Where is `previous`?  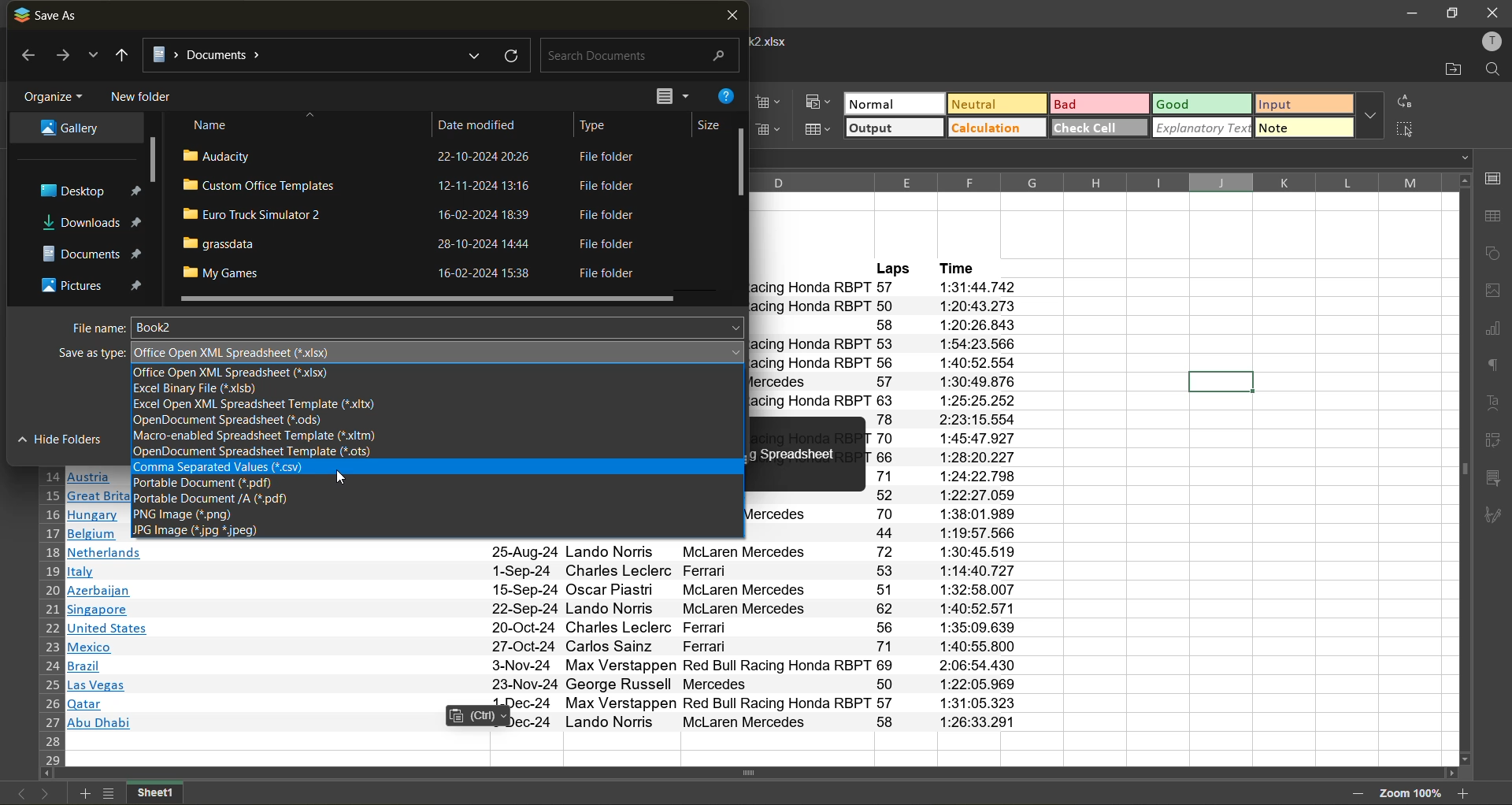 previous is located at coordinates (18, 795).